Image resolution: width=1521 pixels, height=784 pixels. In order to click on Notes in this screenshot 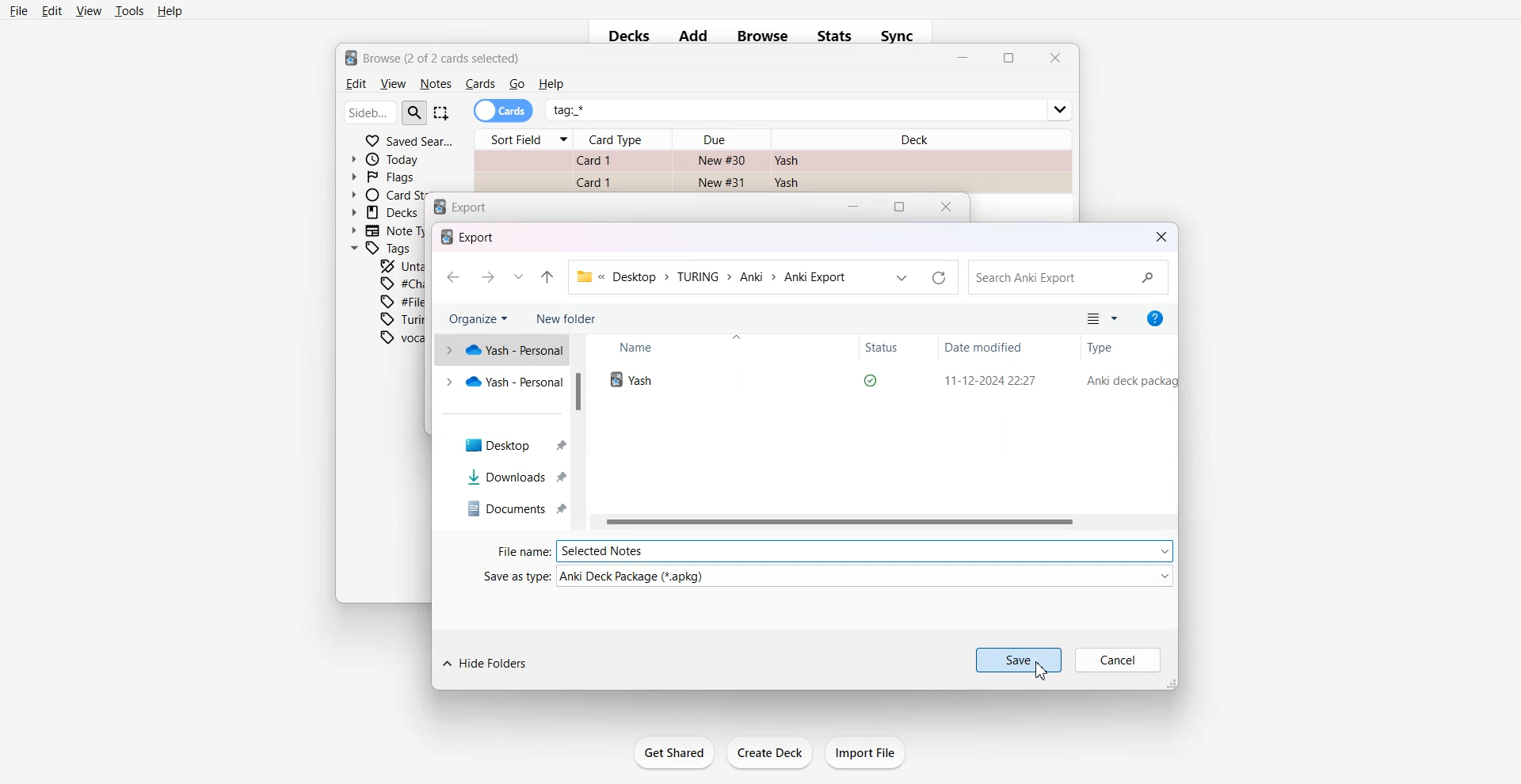, I will do `click(435, 84)`.